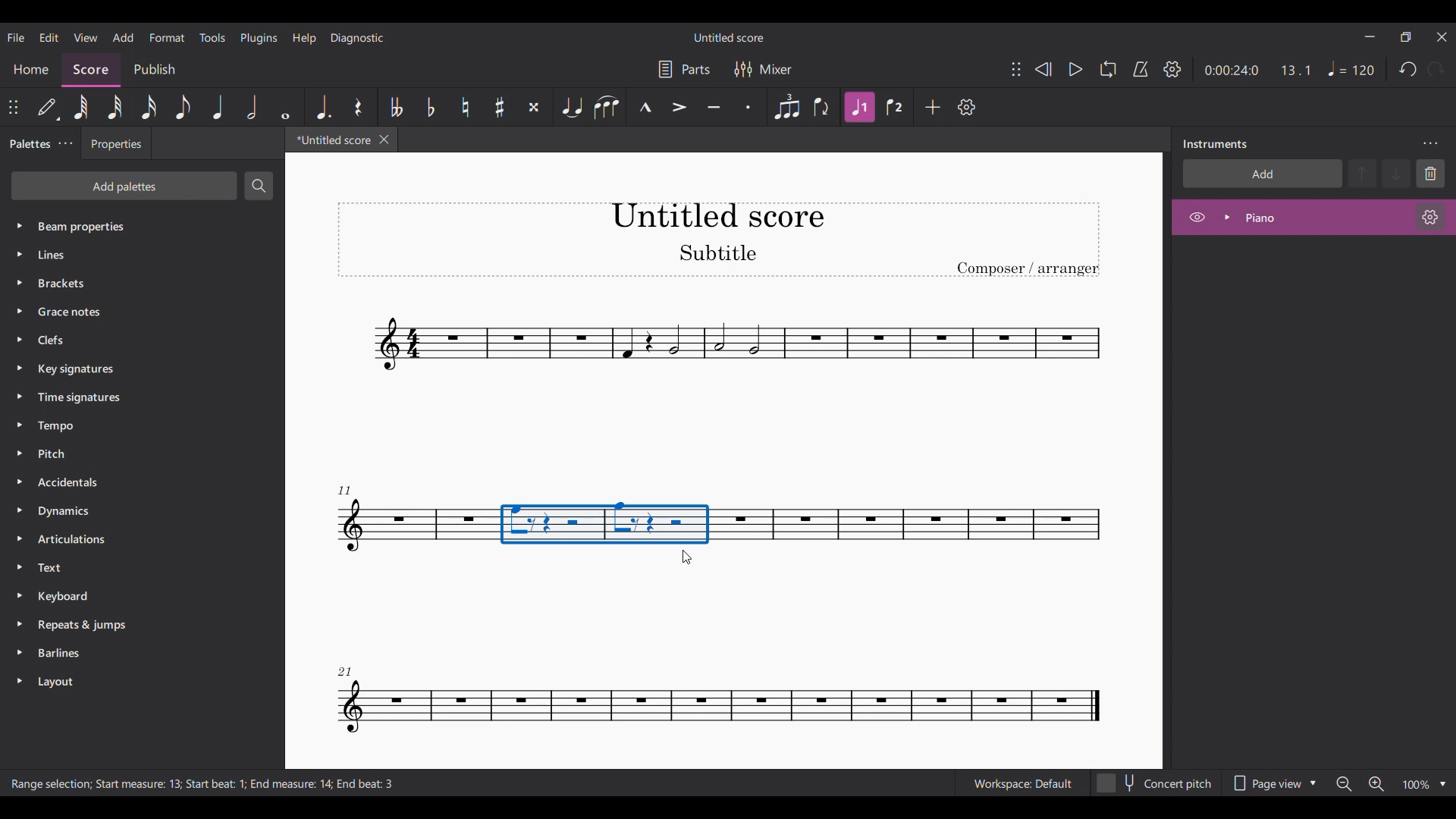 The image size is (1456, 819). I want to click on Plugins menu, so click(259, 39).